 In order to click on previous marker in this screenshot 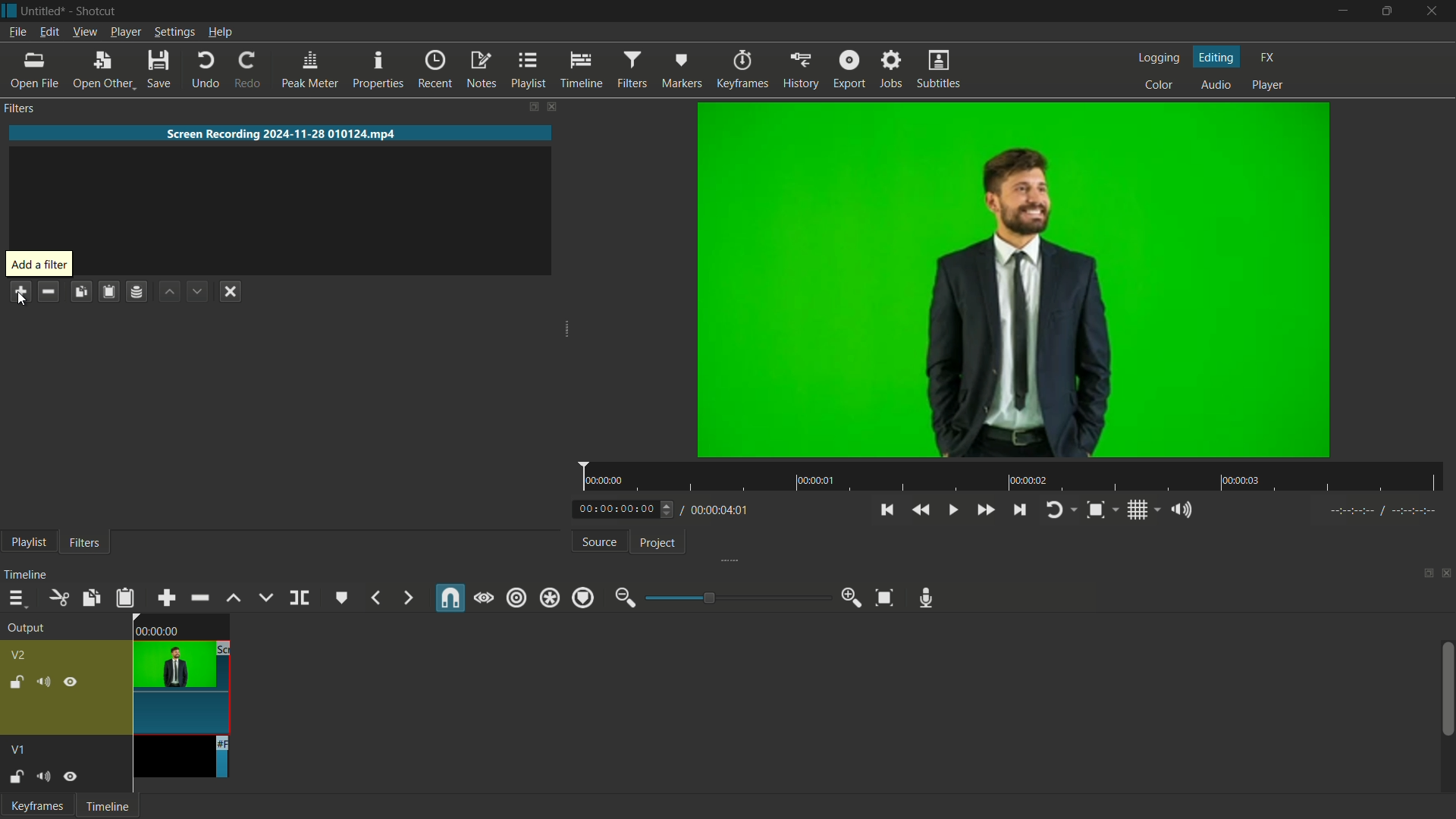, I will do `click(375, 598)`.